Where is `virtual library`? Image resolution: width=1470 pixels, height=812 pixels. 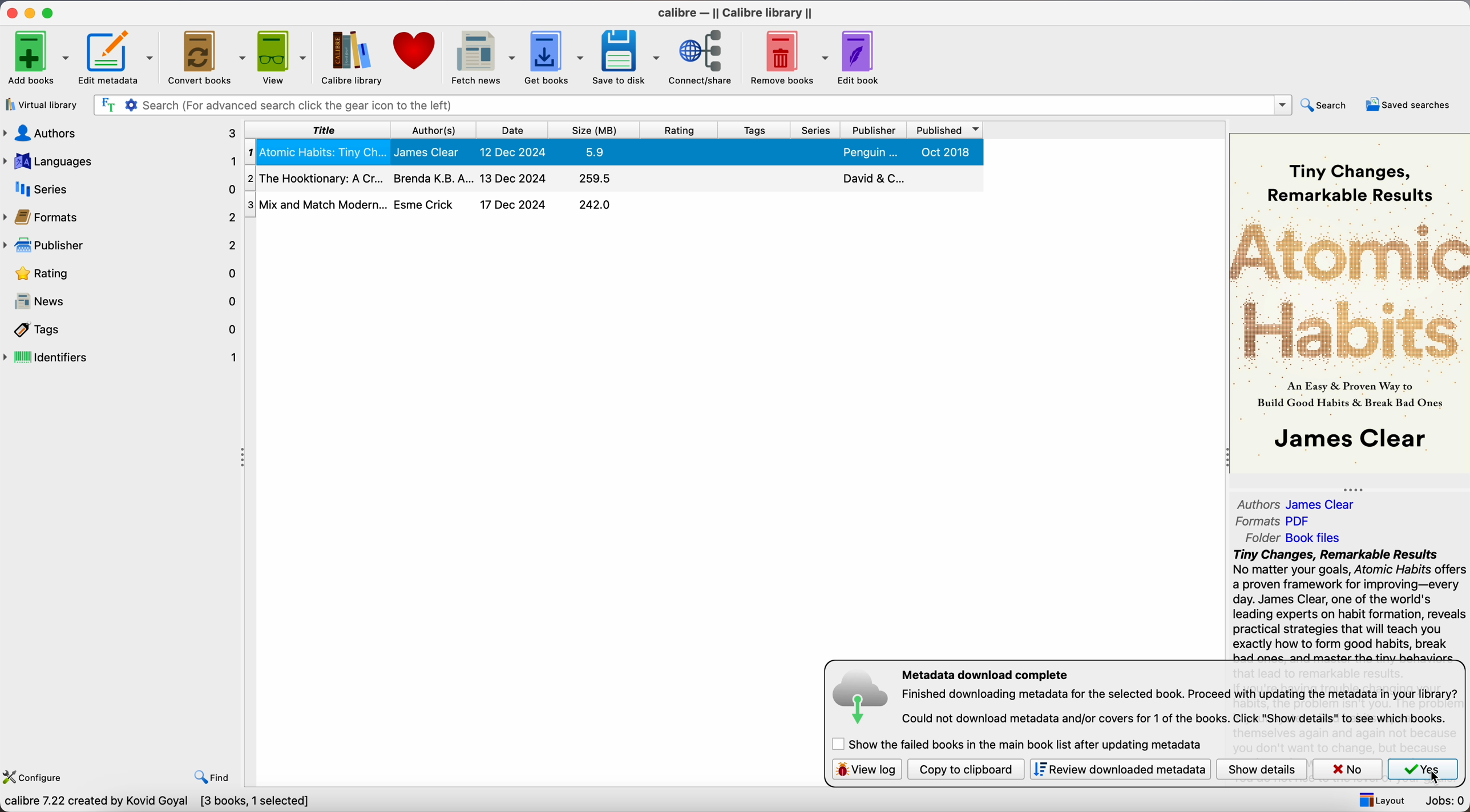
virtual library is located at coordinates (42, 104).